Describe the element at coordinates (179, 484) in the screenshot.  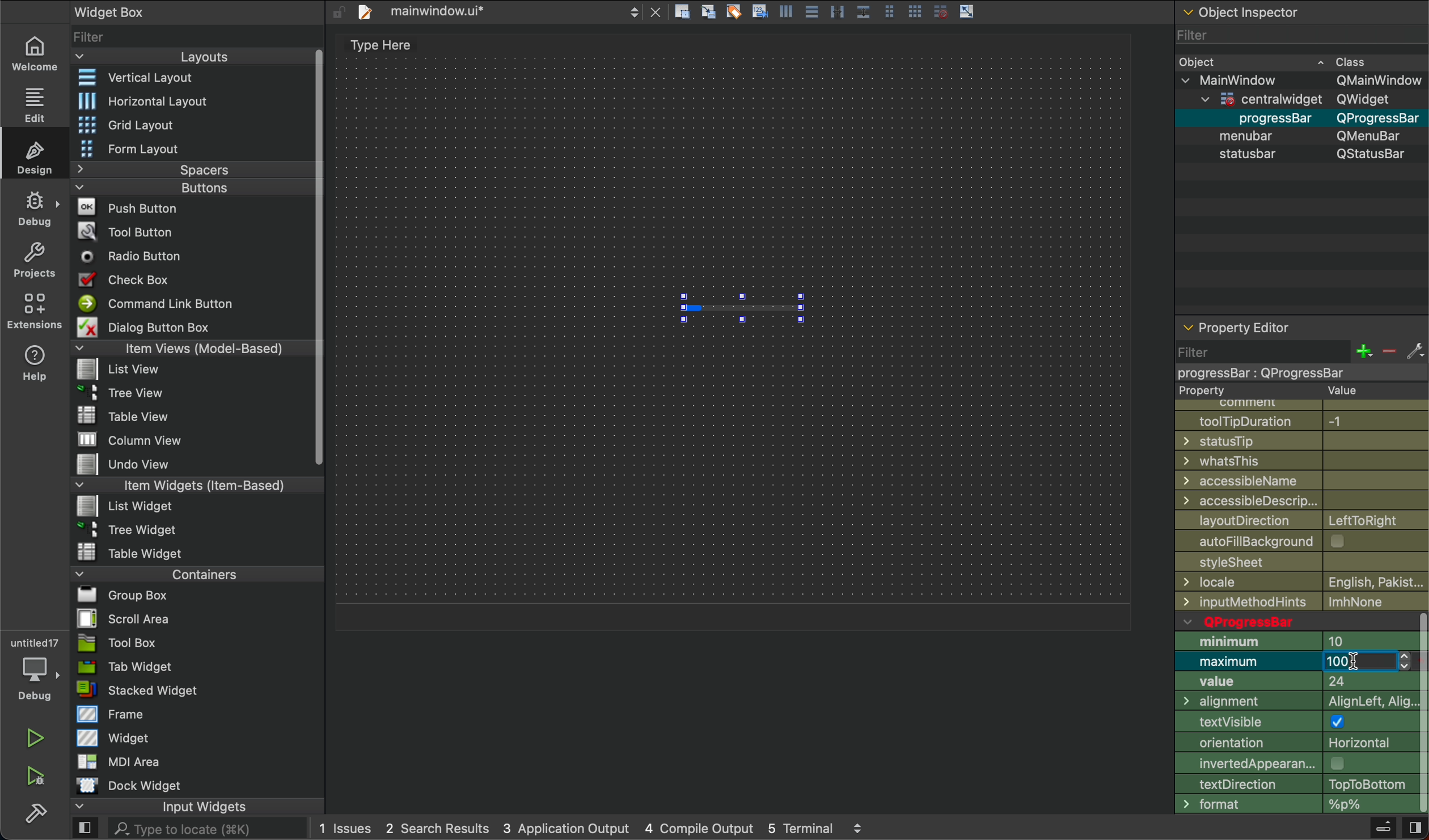
I see `Item Widgets` at that location.